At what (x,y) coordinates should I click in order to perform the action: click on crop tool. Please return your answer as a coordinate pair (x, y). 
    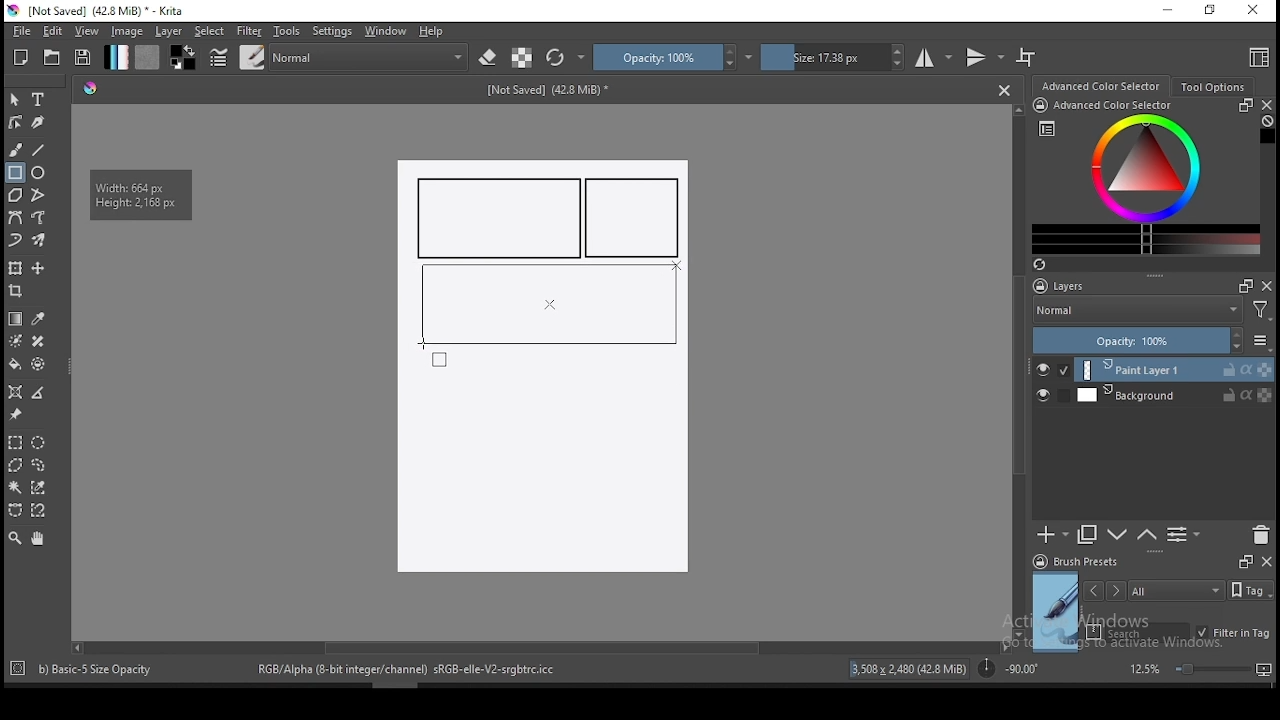
    Looking at the image, I should click on (18, 293).